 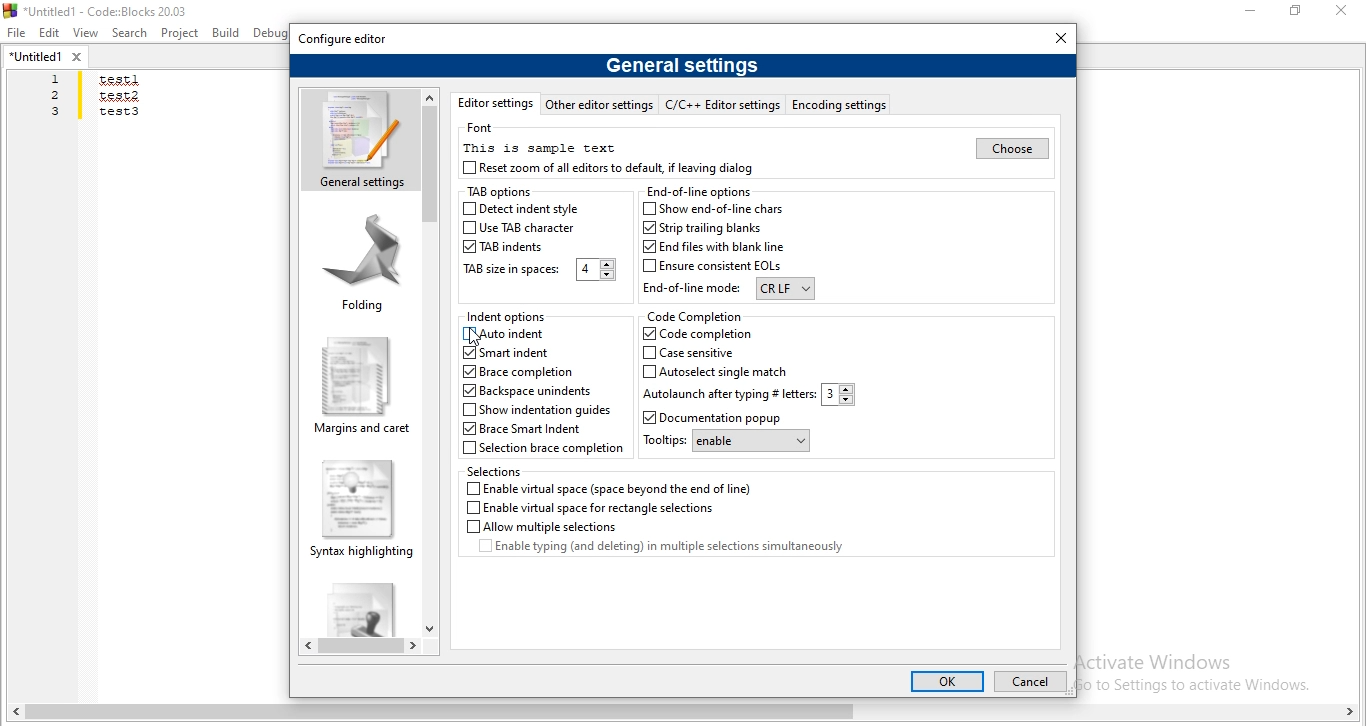 What do you see at coordinates (749, 395) in the screenshot?
I see `Autolaunch after typing #letters: 3` at bounding box center [749, 395].